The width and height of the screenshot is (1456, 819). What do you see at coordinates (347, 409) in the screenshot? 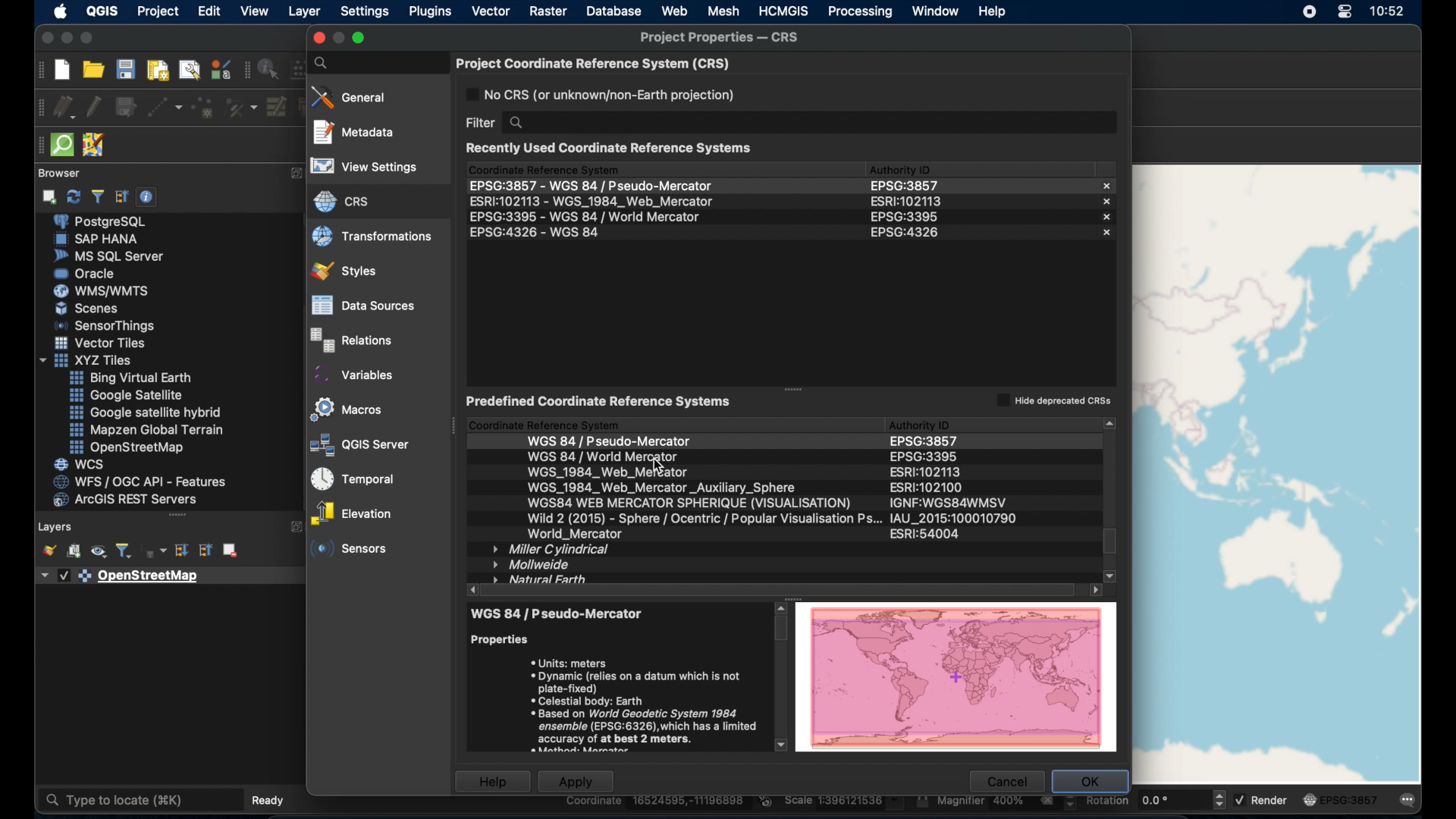
I see `macros` at bounding box center [347, 409].